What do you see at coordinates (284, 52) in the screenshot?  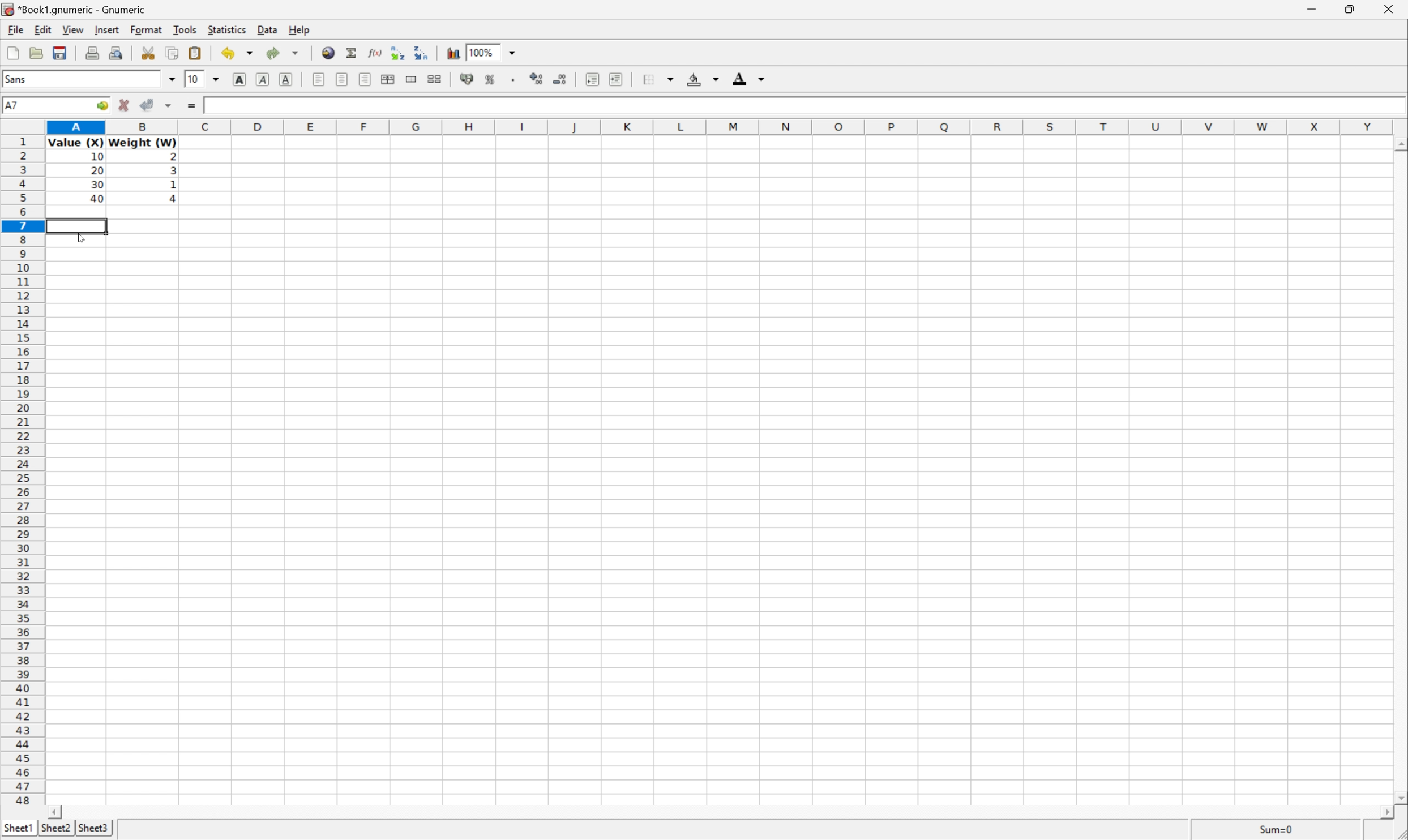 I see `Redo` at bounding box center [284, 52].